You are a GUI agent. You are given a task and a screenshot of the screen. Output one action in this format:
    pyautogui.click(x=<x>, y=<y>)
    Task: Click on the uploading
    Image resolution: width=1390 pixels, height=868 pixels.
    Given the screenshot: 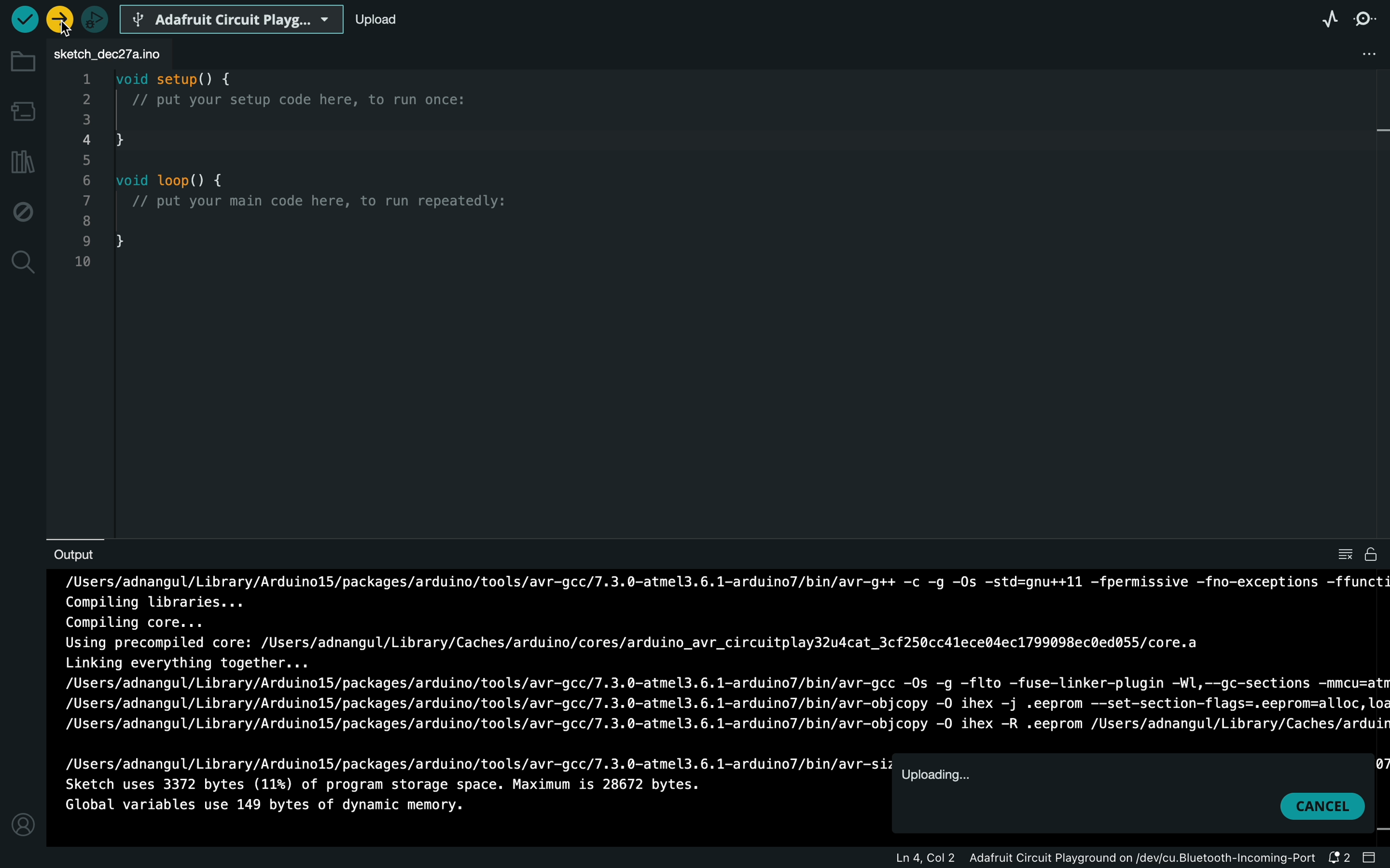 What is the action you would take?
    pyautogui.click(x=949, y=774)
    